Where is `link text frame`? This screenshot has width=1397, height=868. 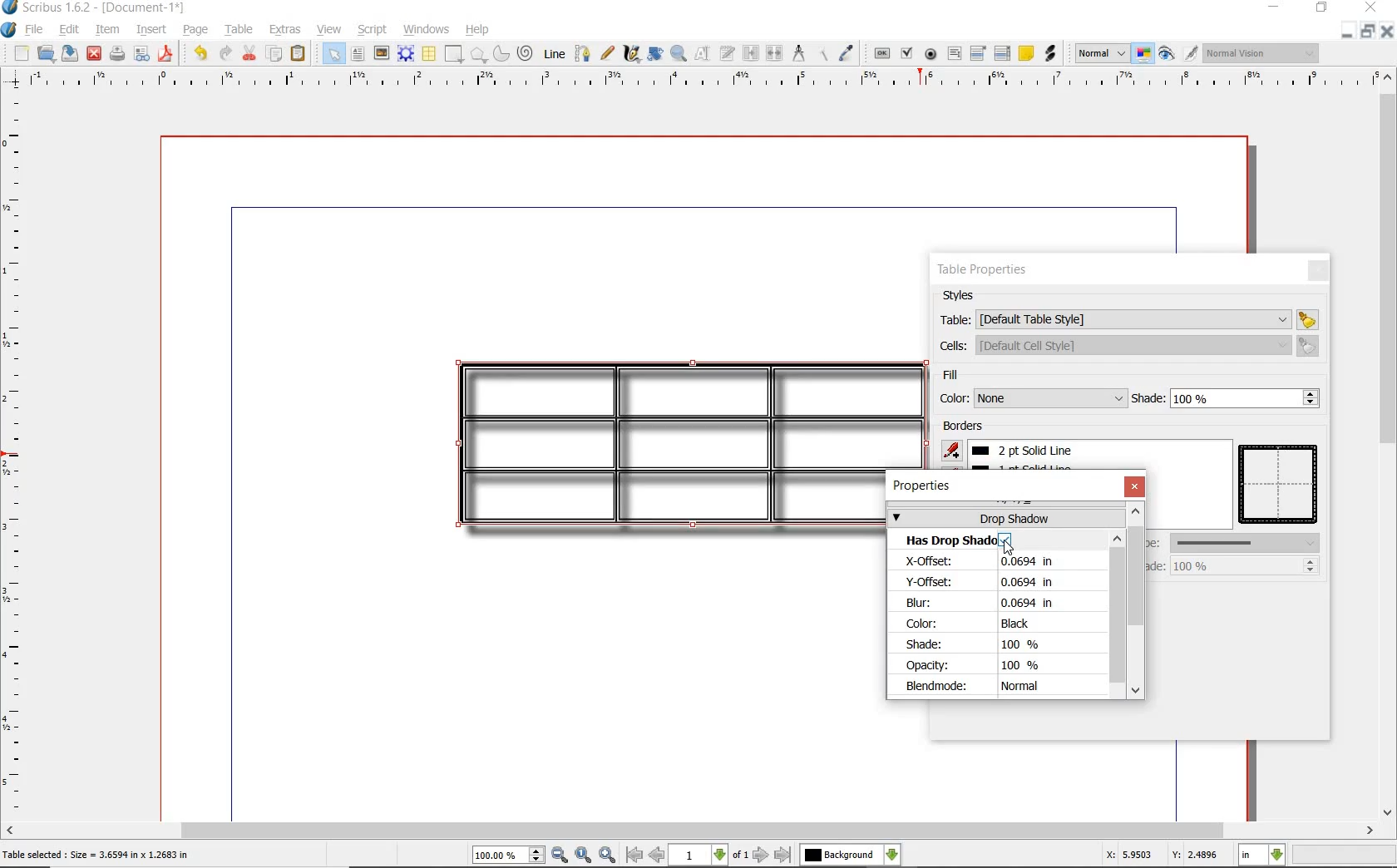
link text frame is located at coordinates (750, 53).